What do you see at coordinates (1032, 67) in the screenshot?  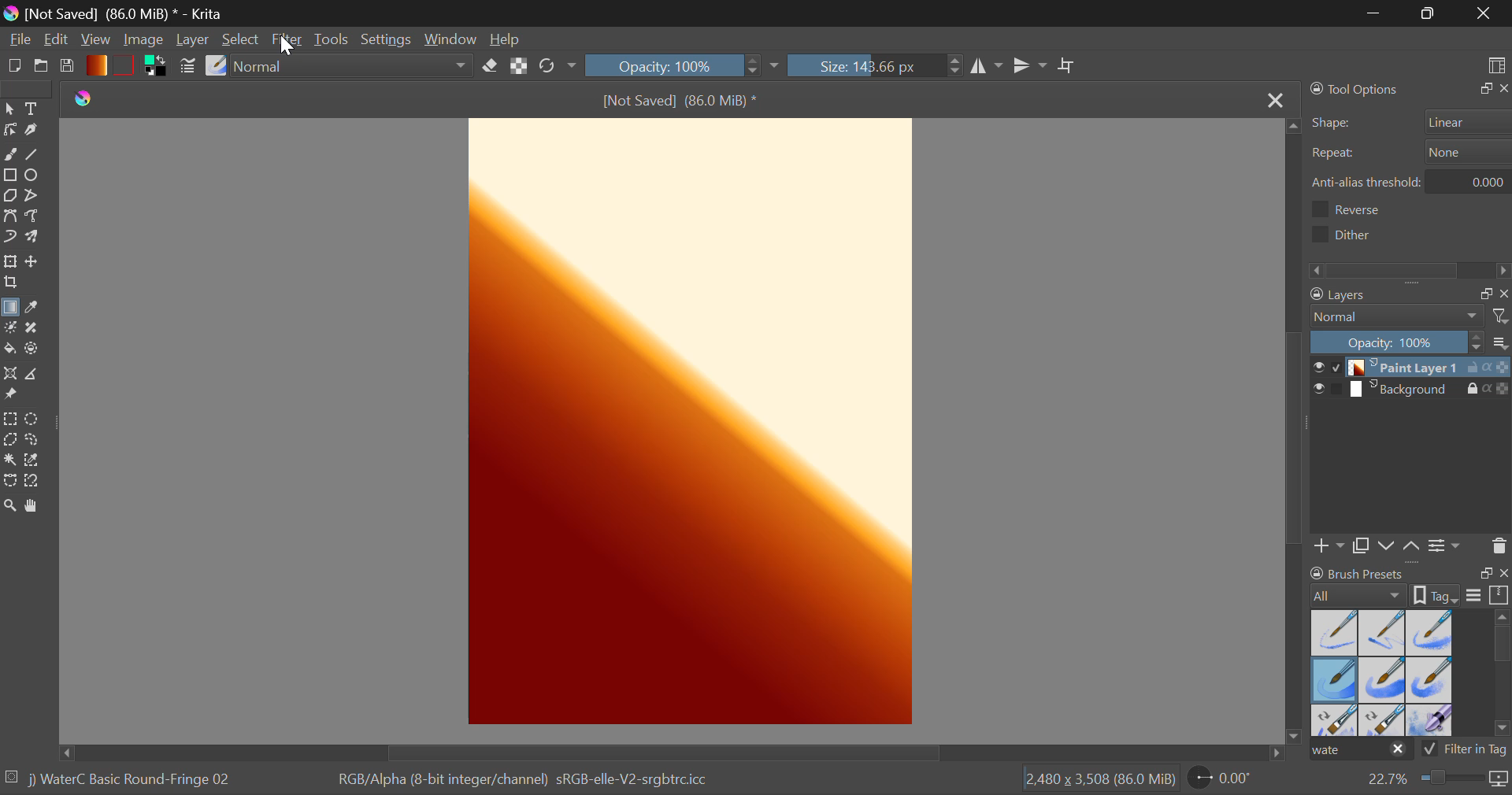 I see `Horizontal Mirror Flip` at bounding box center [1032, 67].